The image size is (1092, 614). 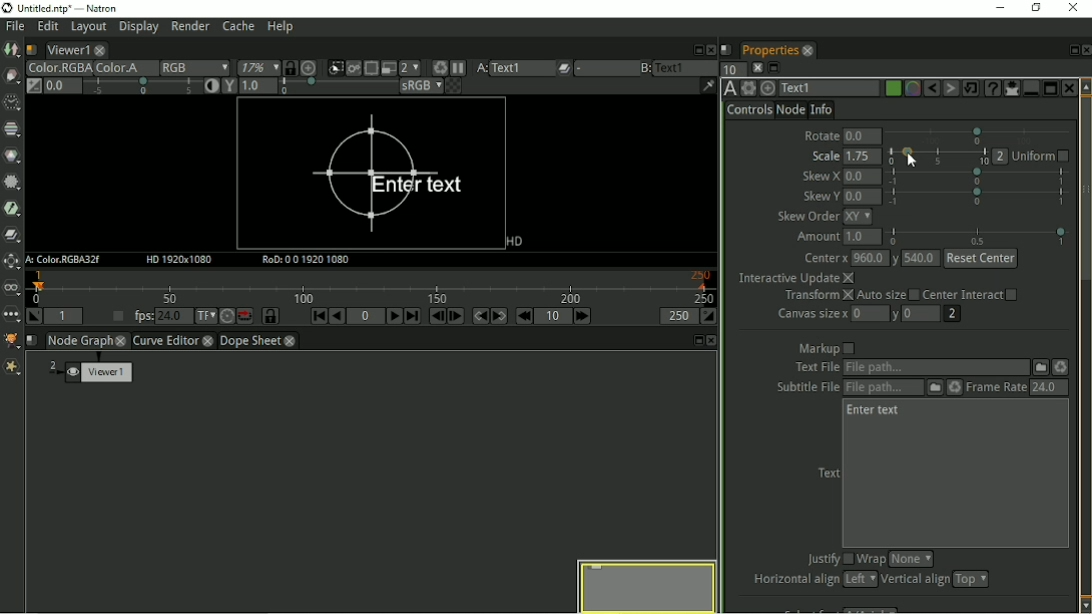 What do you see at coordinates (75, 49) in the screenshot?
I see `Viewer1` at bounding box center [75, 49].